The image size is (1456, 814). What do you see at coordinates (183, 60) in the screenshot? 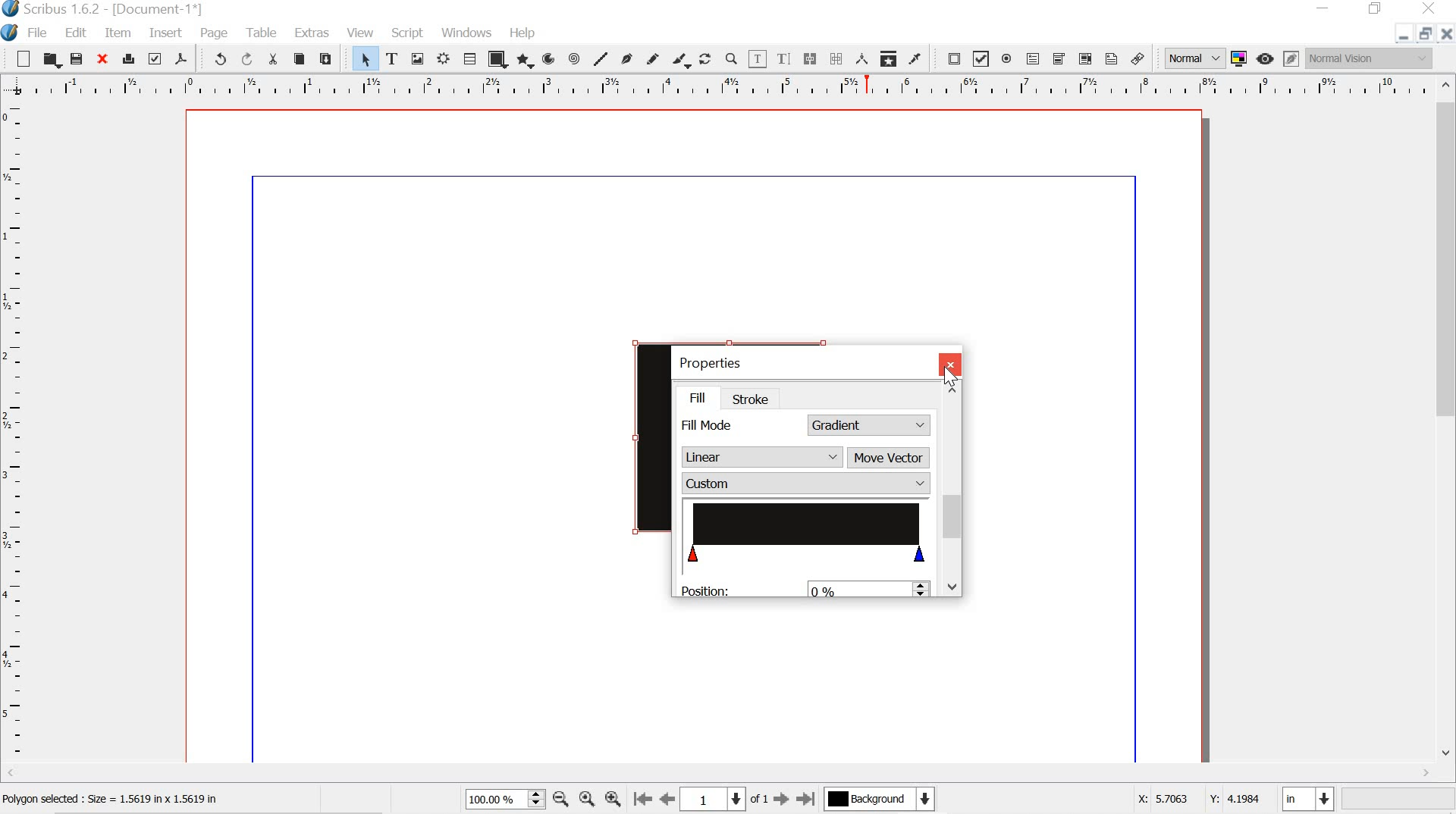
I see `save as pdf` at bounding box center [183, 60].